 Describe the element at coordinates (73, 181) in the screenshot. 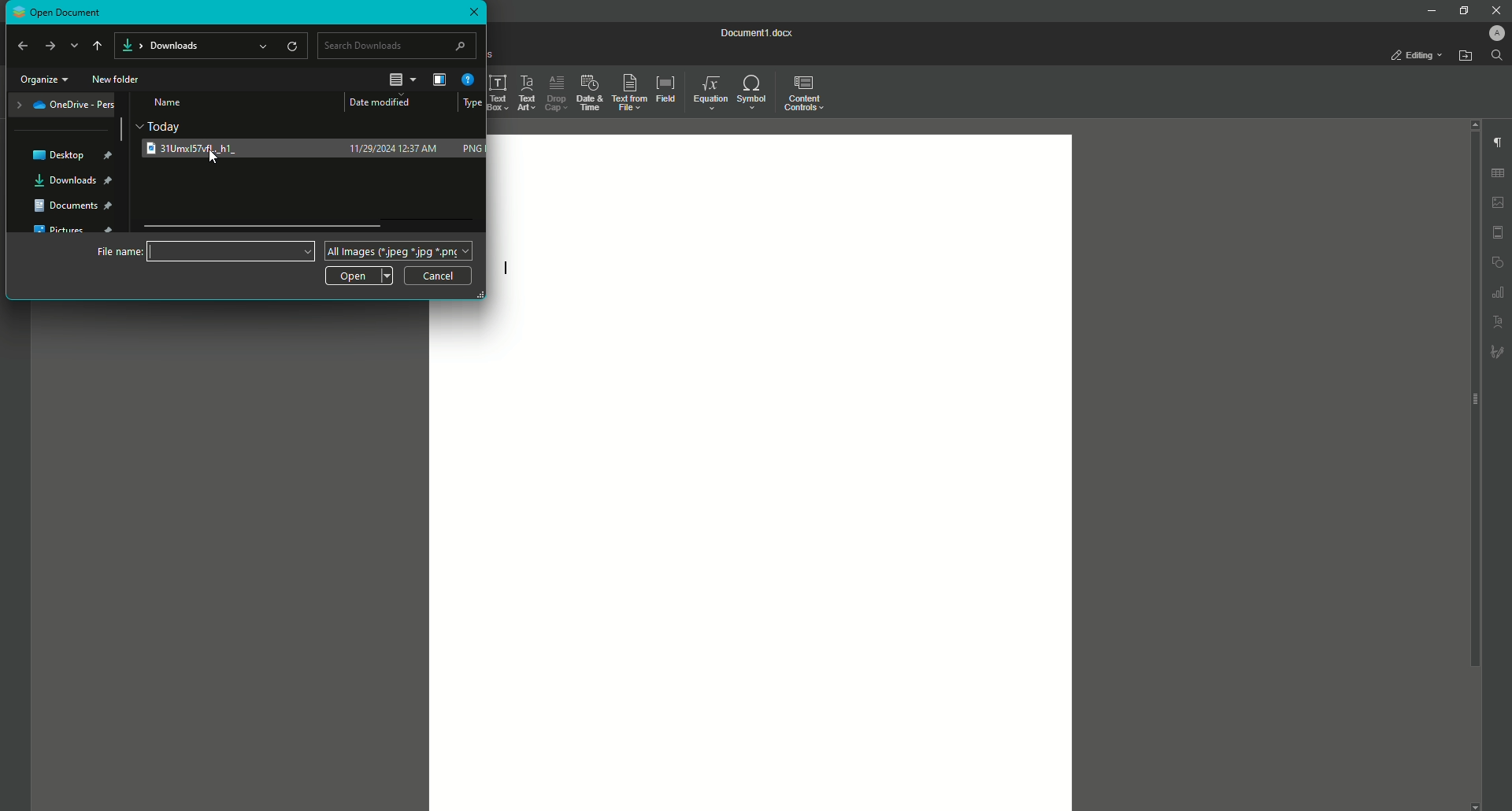

I see `Downloads` at that location.